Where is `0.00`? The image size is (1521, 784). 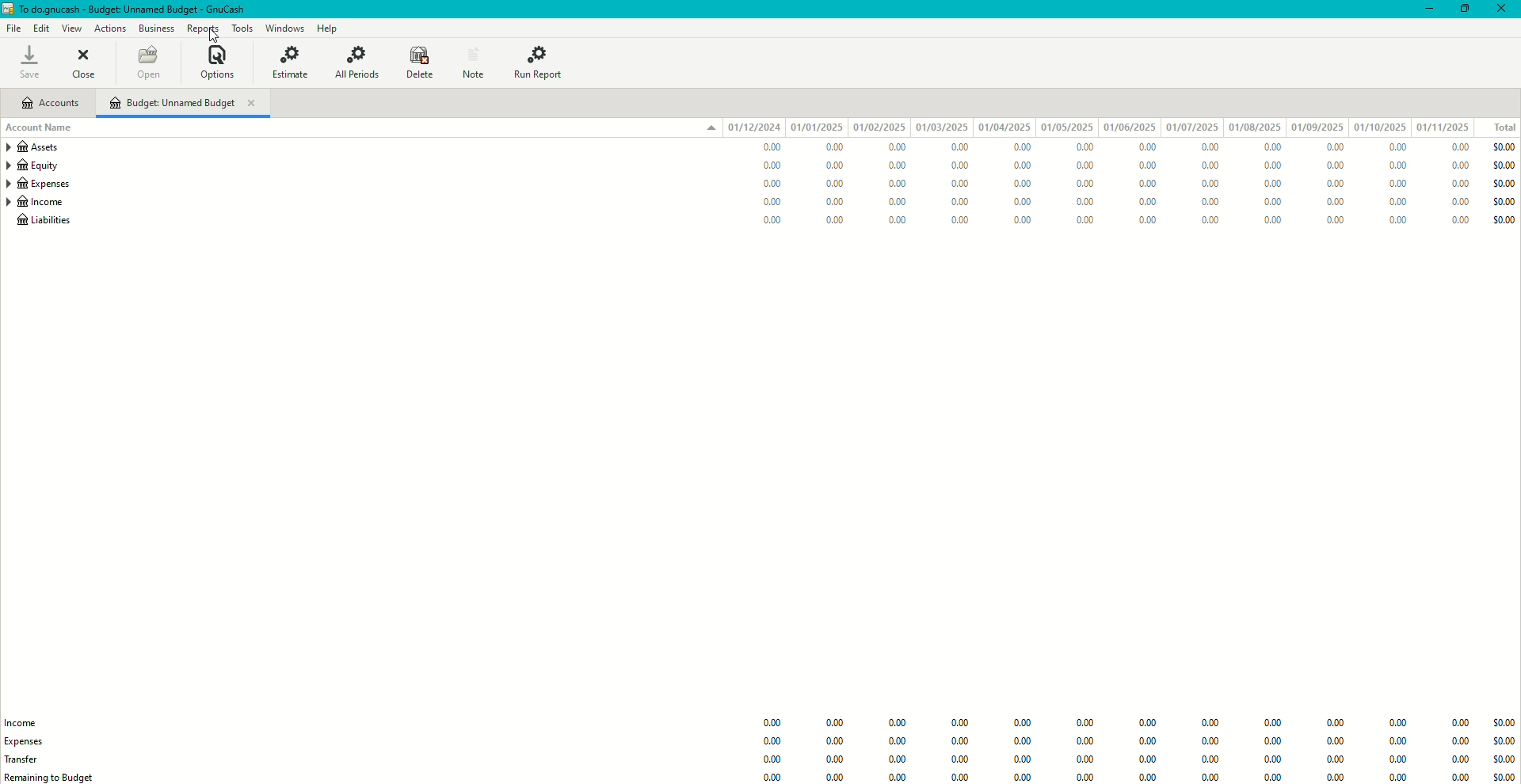 0.00 is located at coordinates (1338, 168).